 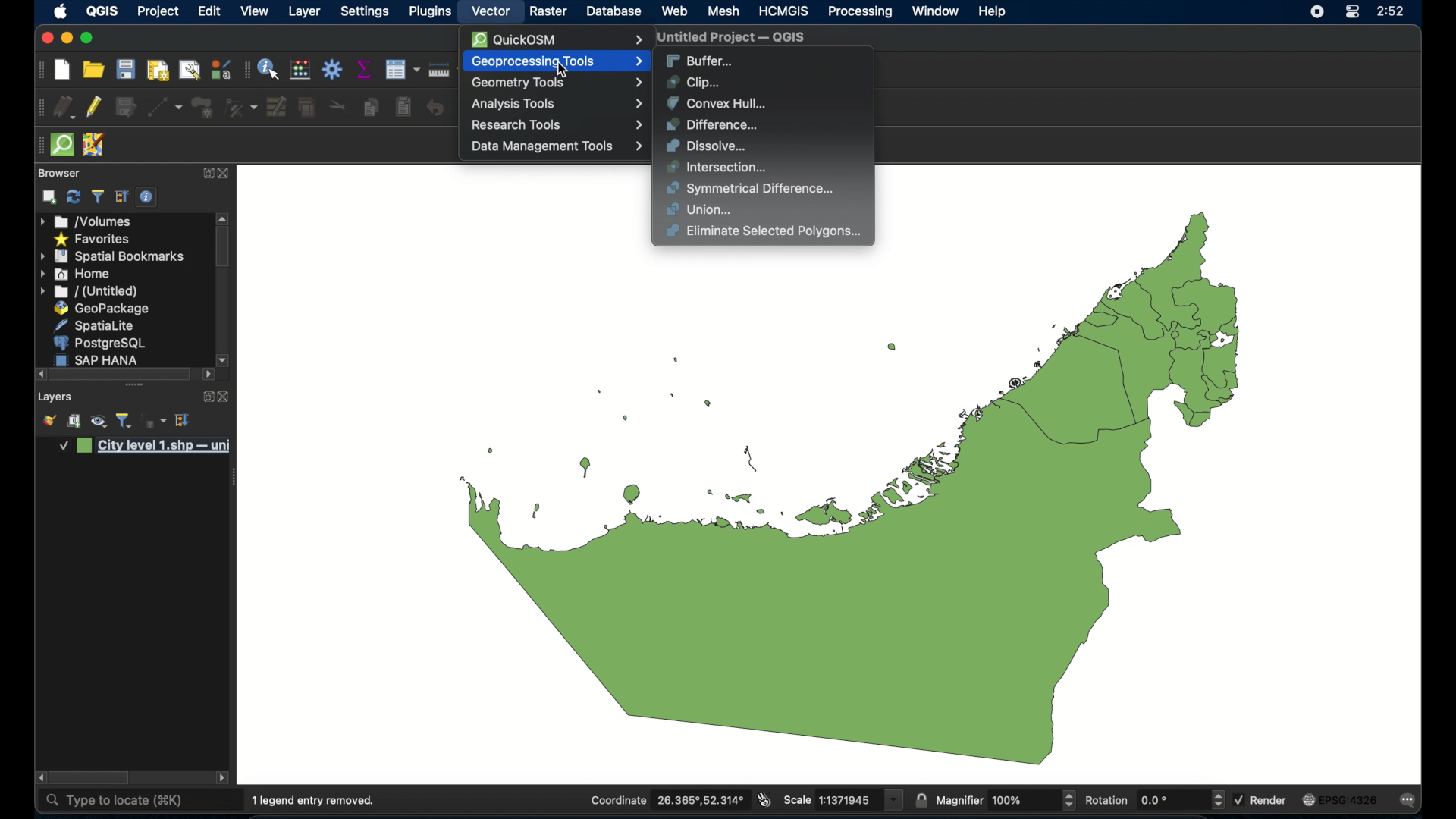 What do you see at coordinates (206, 171) in the screenshot?
I see `expand` at bounding box center [206, 171].